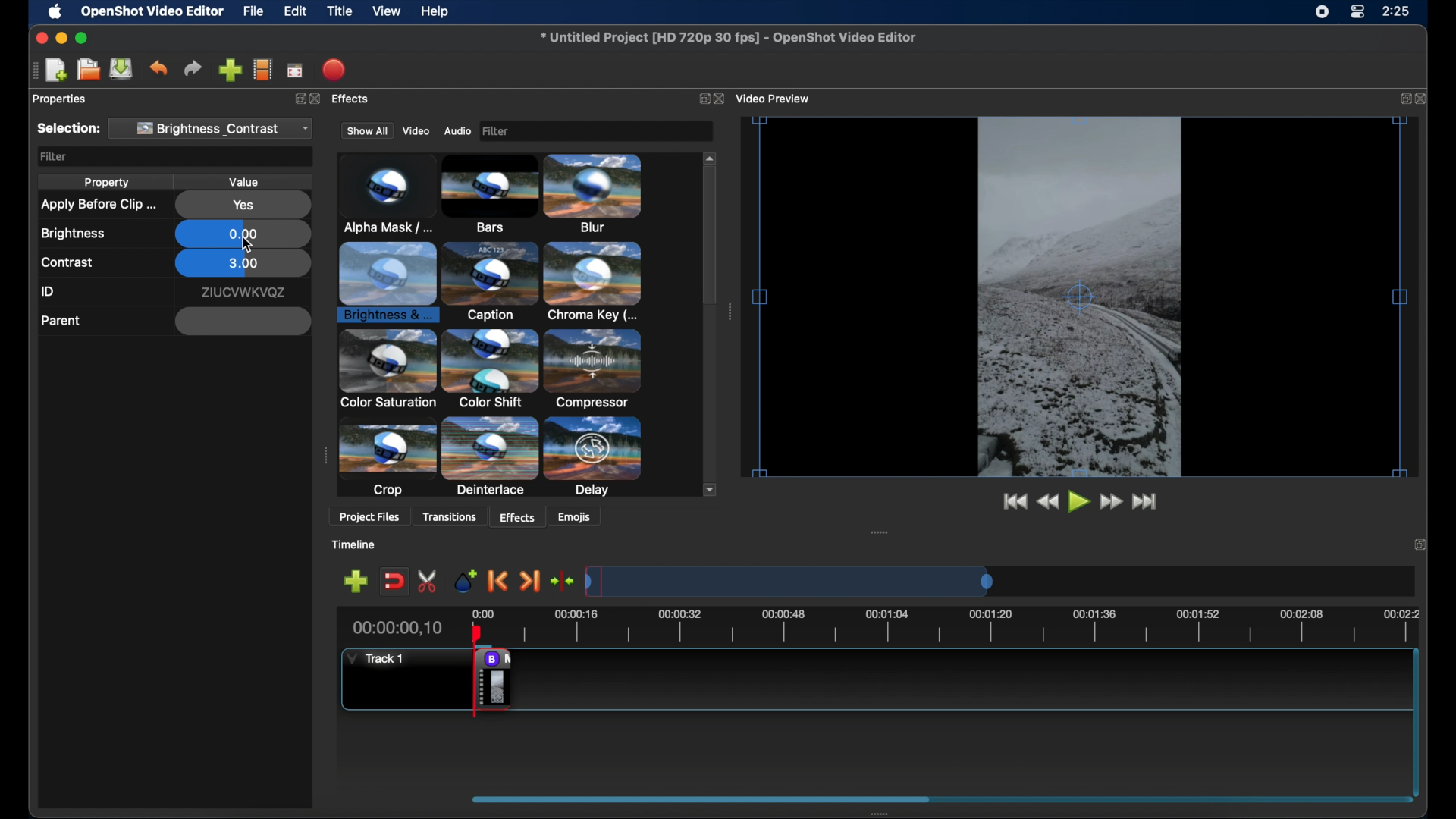 The height and width of the screenshot is (819, 1456). I want to click on emojis, so click(582, 519).